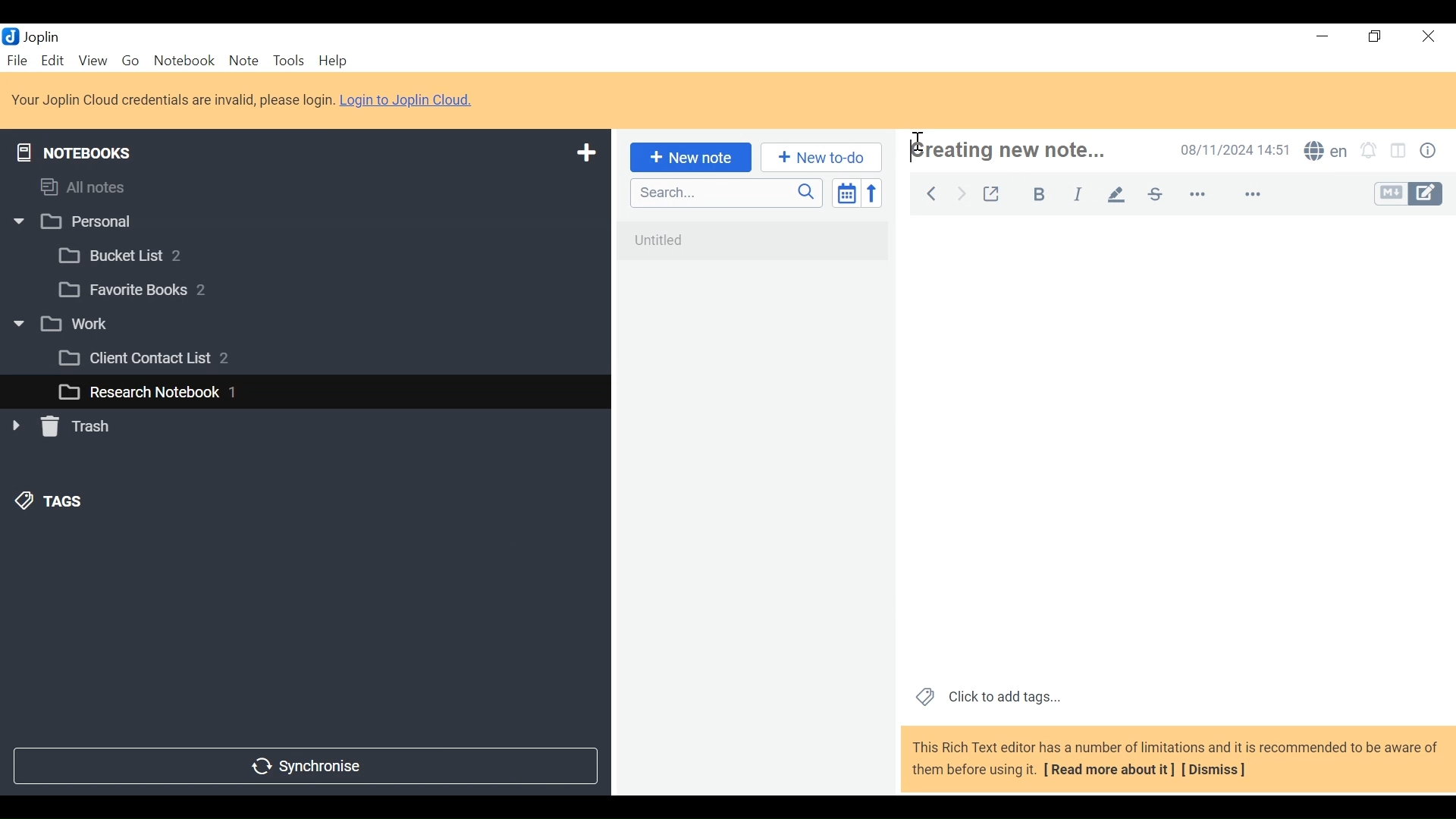 This screenshot has height=819, width=1456. I want to click on Click to add tags, so click(985, 695).